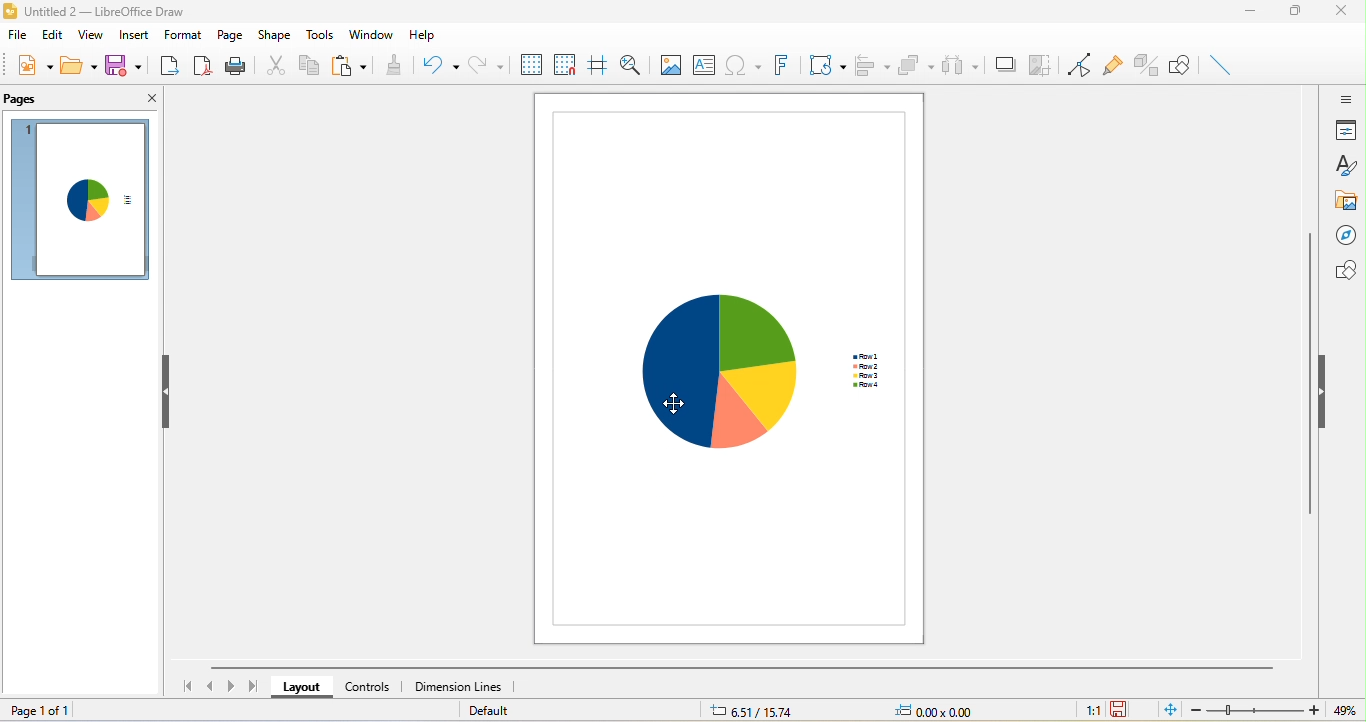  I want to click on navigator, so click(1346, 236).